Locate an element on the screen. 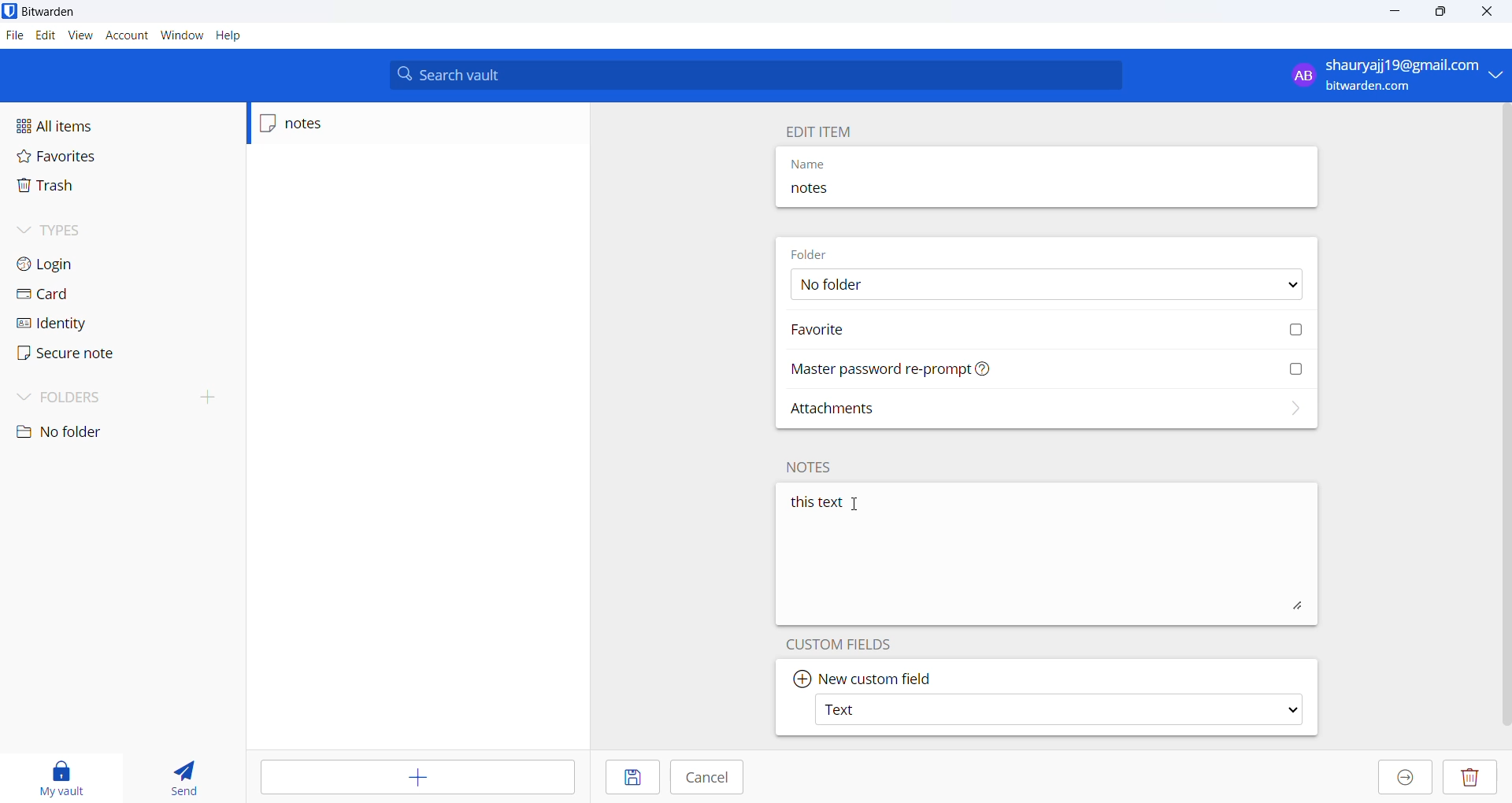 The height and width of the screenshot is (803, 1512). cancel is located at coordinates (708, 778).